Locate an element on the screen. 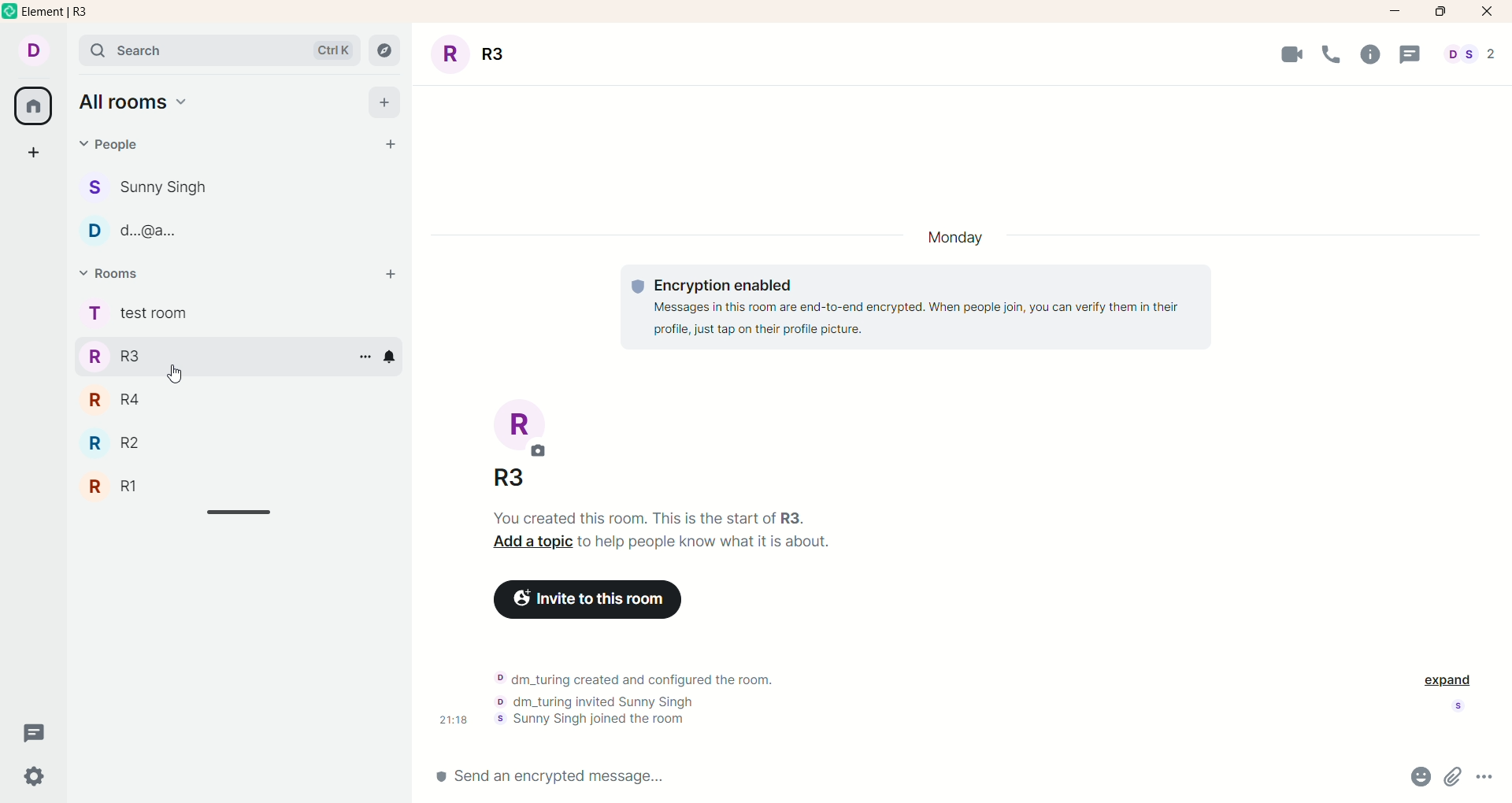 Image resolution: width=1512 pixels, height=803 pixels. notification is located at coordinates (391, 354).